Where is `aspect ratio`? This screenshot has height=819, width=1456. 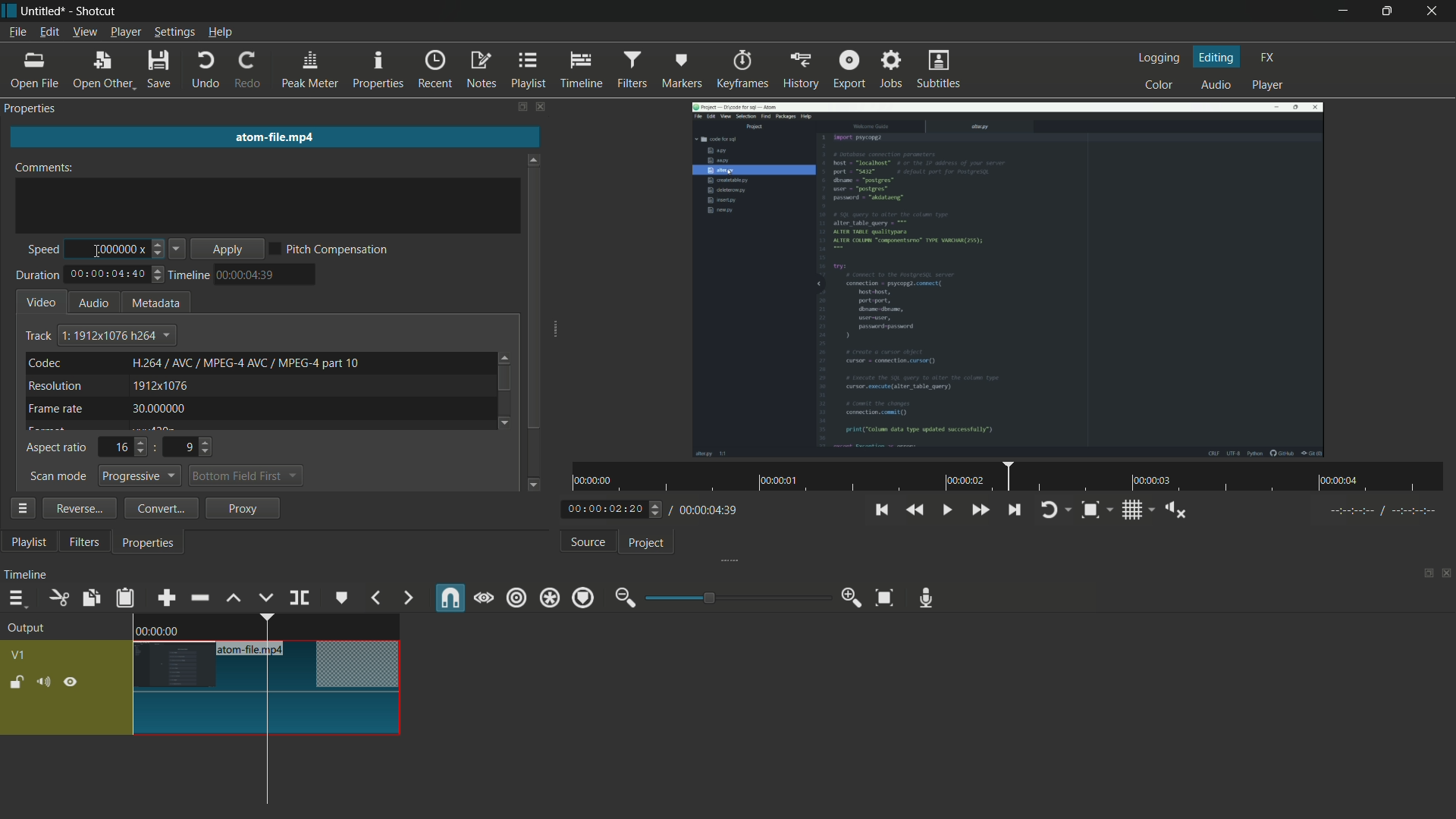 aspect ratio is located at coordinates (56, 448).